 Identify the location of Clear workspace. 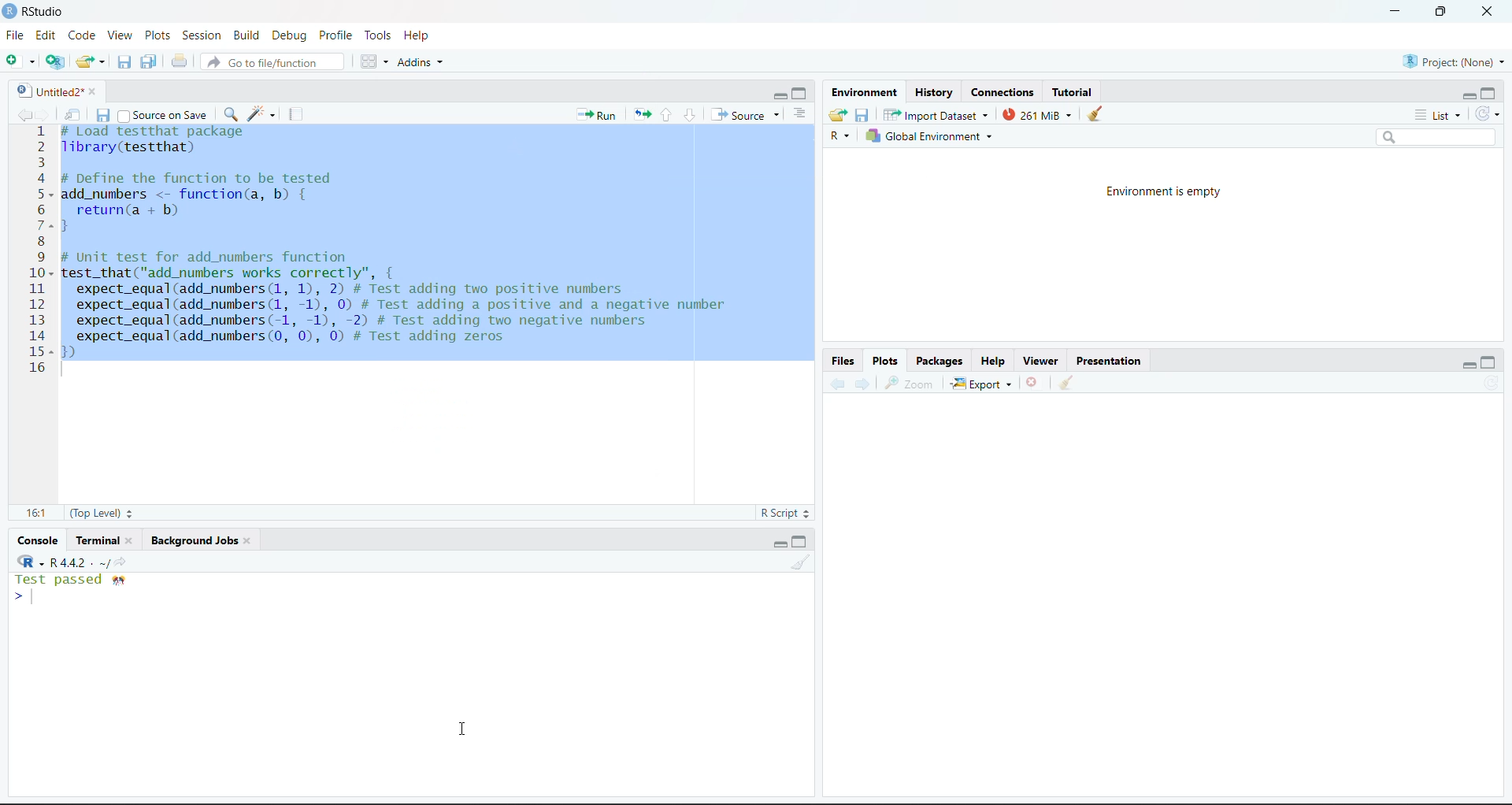
(802, 563).